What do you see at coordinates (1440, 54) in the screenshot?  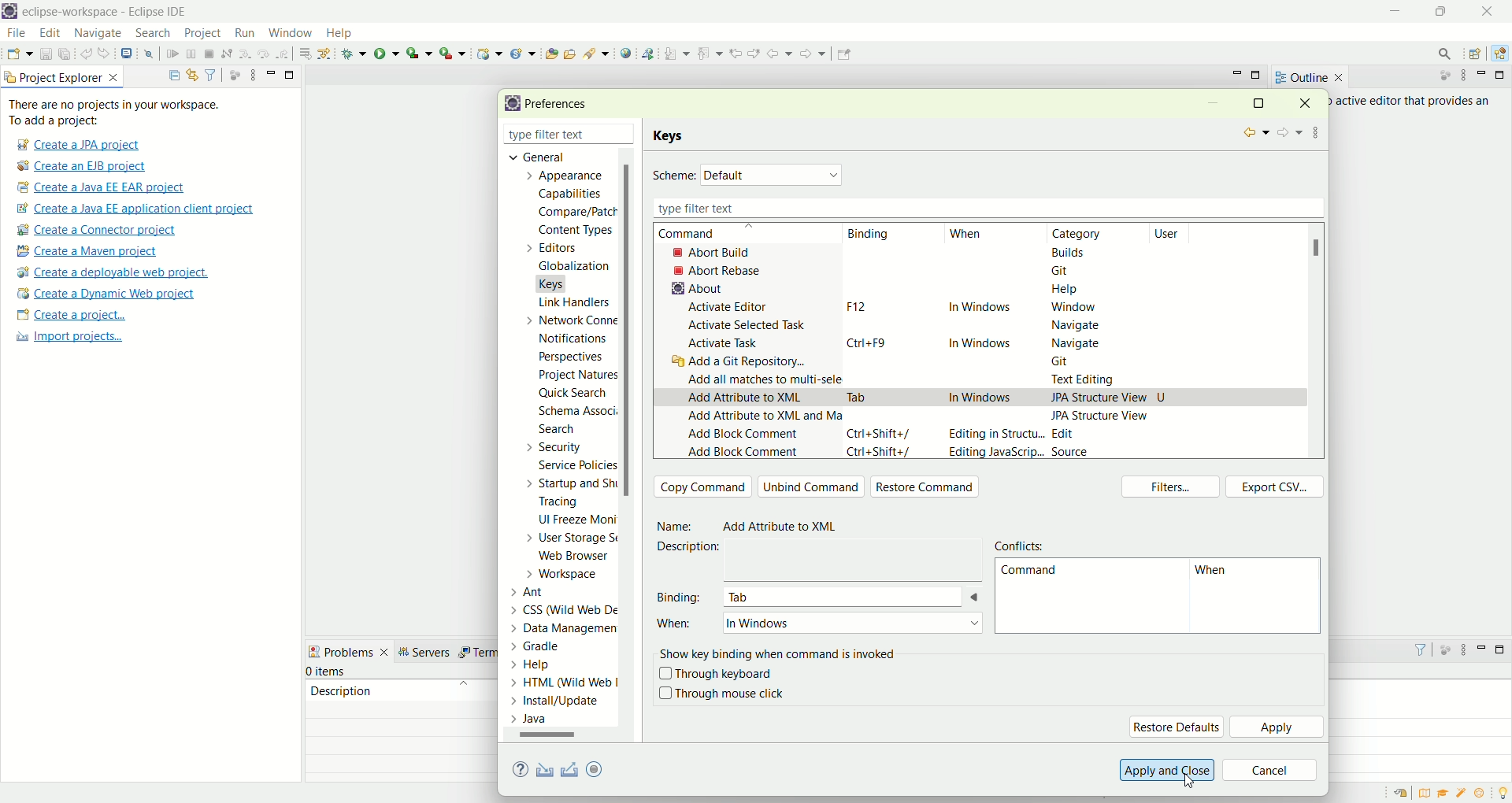 I see `search` at bounding box center [1440, 54].